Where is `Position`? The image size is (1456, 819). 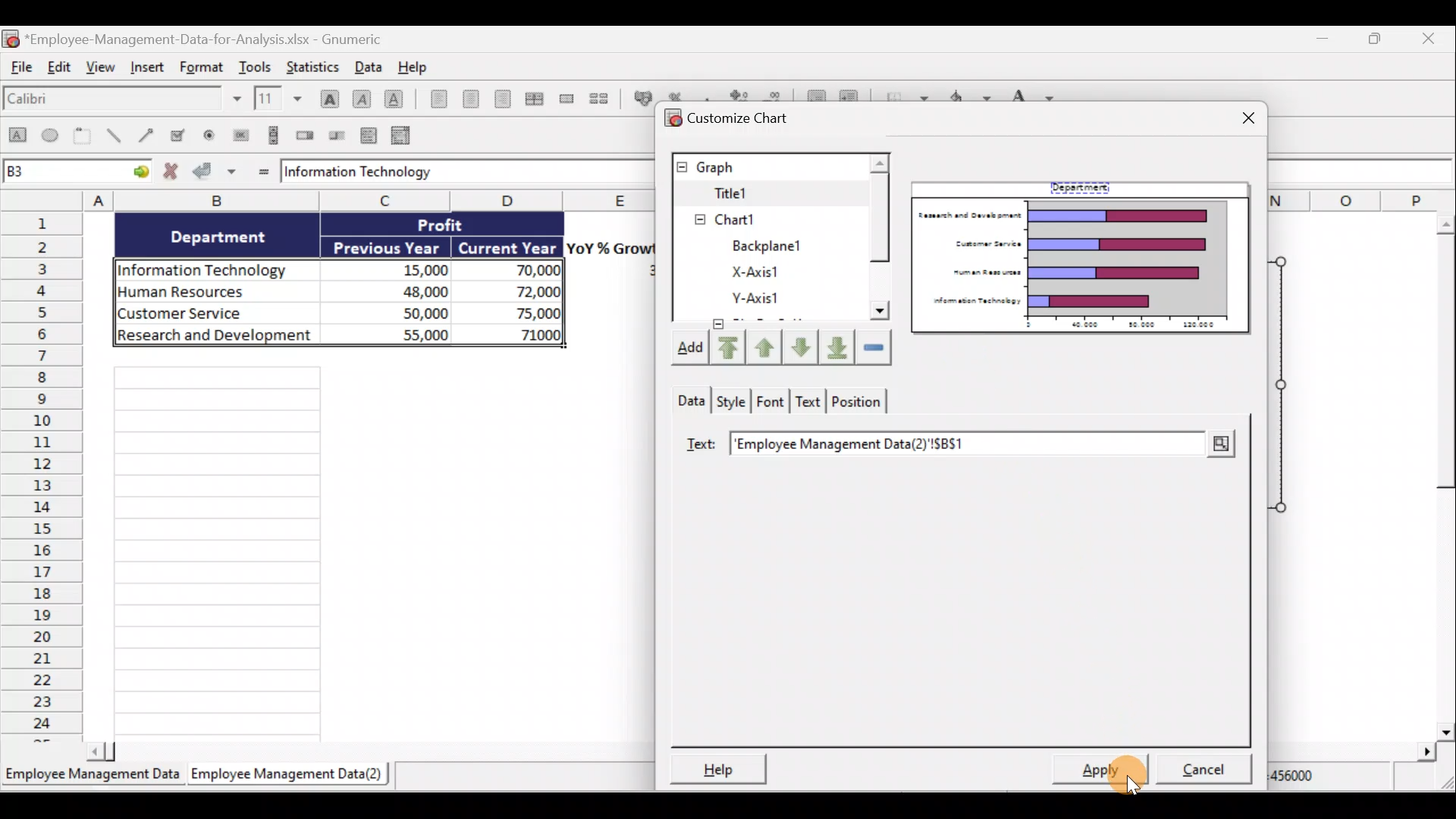
Position is located at coordinates (858, 403).